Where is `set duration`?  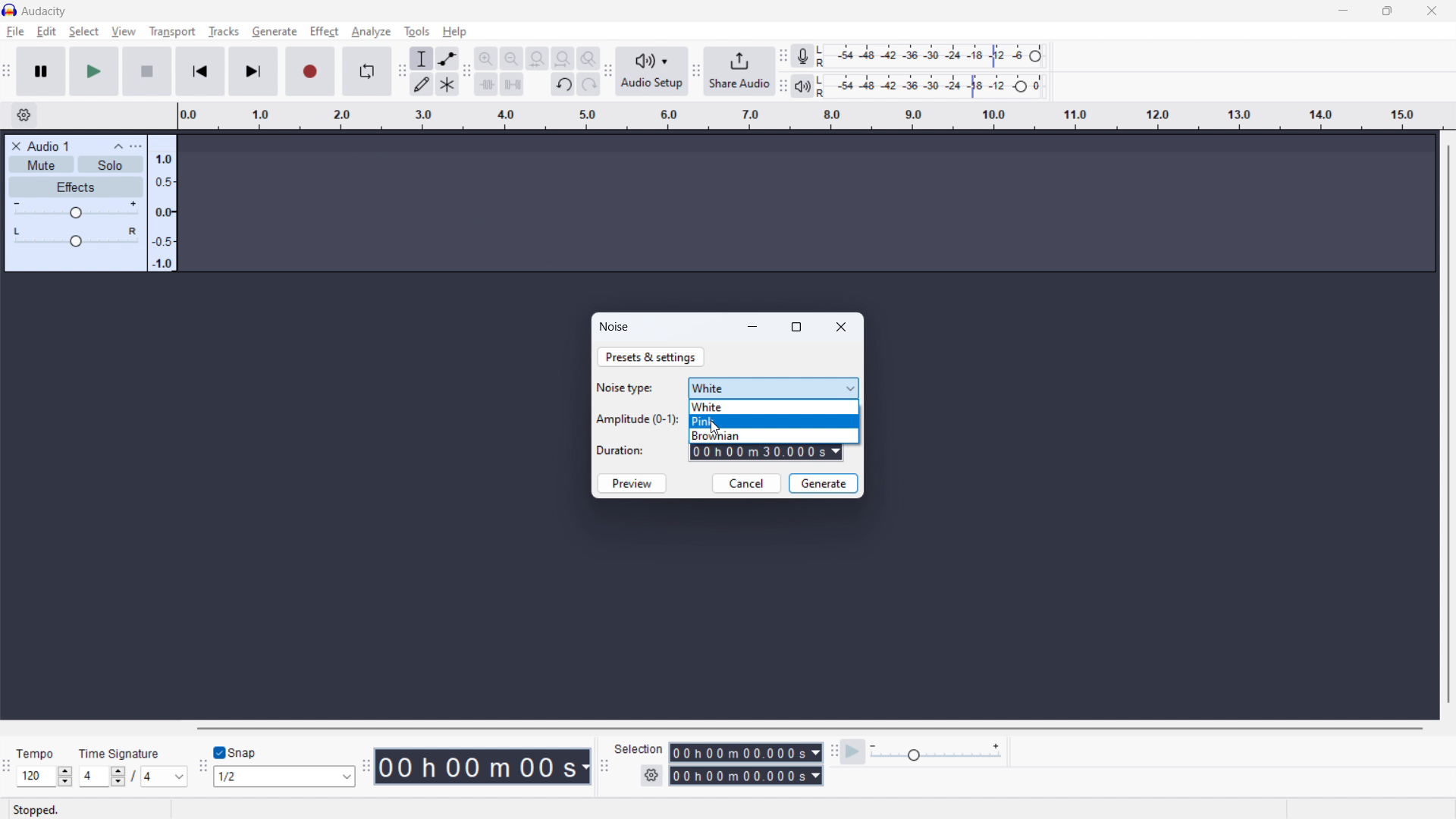
set duration is located at coordinates (767, 453).